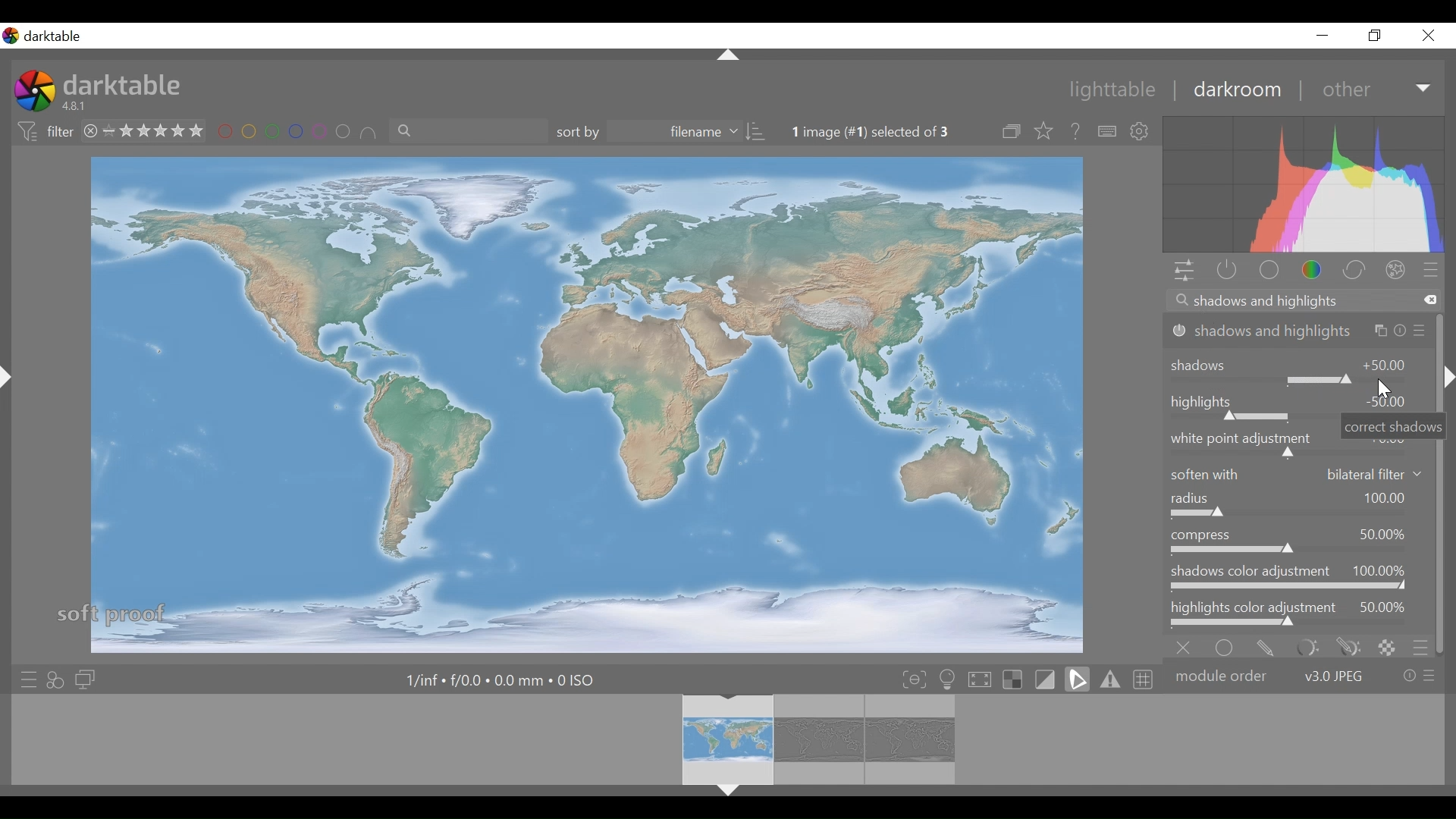  What do you see at coordinates (1249, 444) in the screenshot?
I see `` at bounding box center [1249, 444].